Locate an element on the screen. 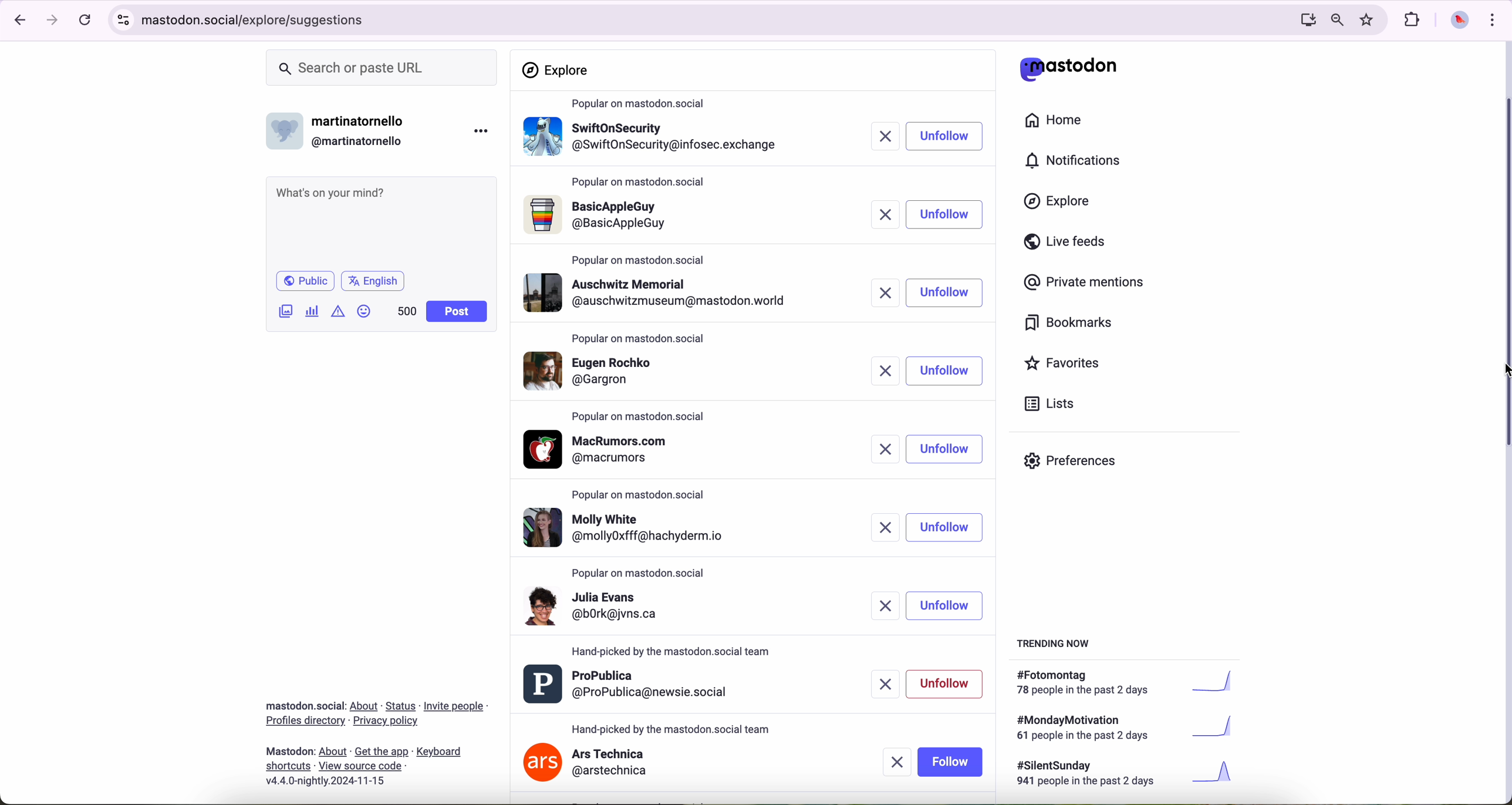 Image resolution: width=1512 pixels, height=805 pixels. follow is located at coordinates (943, 215).